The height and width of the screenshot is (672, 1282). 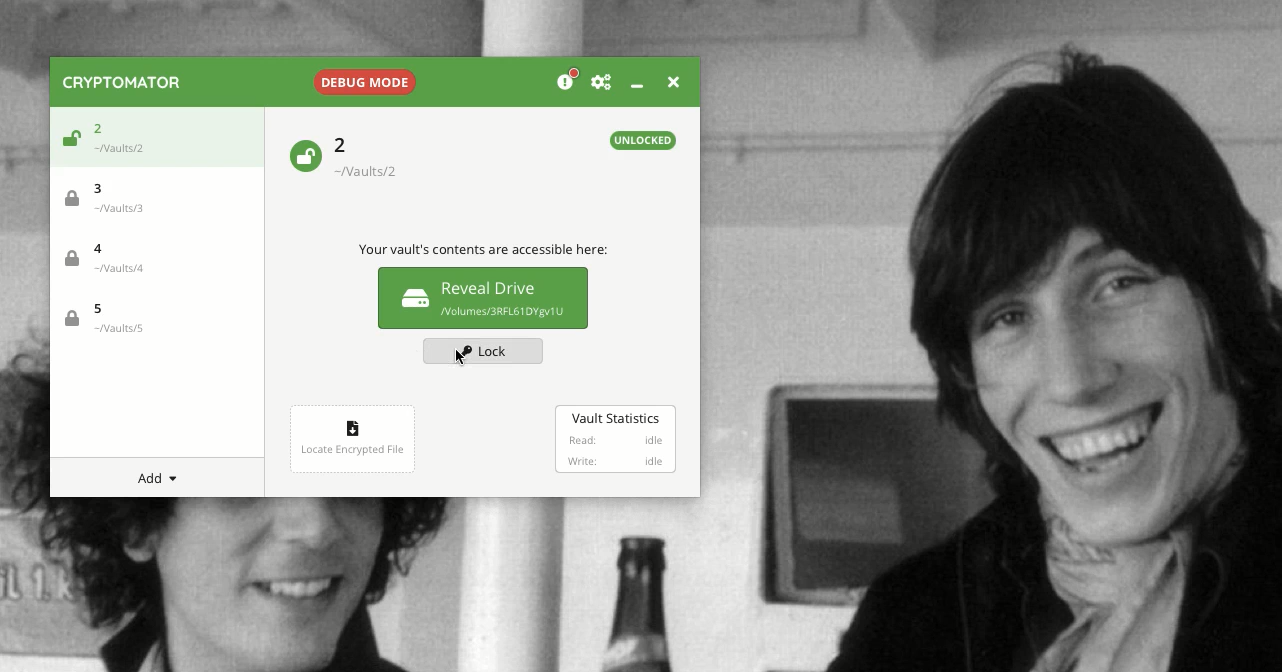 I want to click on cursor, so click(x=467, y=358).